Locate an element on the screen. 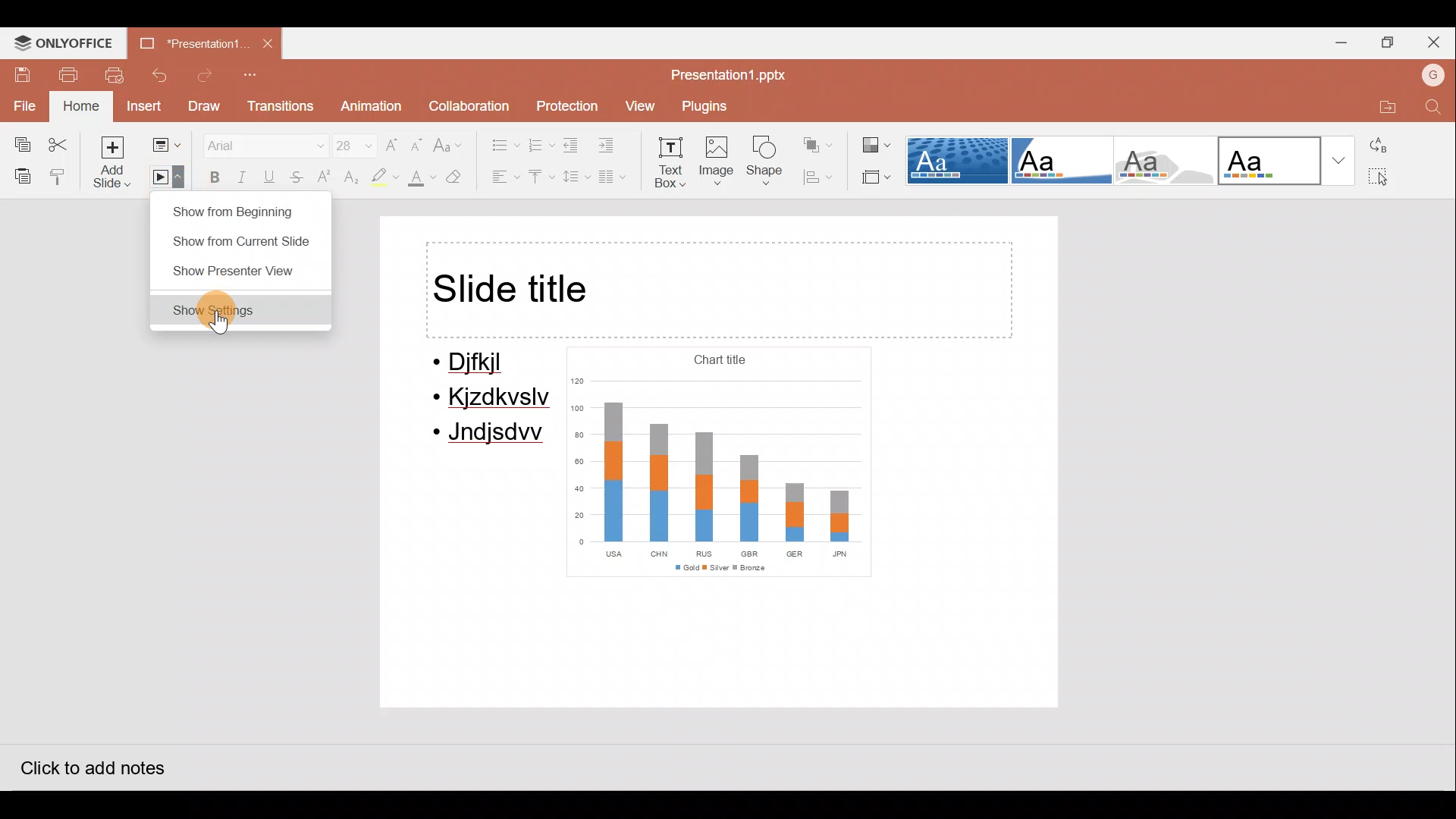 Image resolution: width=1456 pixels, height=819 pixels. Horizontal align is located at coordinates (505, 179).